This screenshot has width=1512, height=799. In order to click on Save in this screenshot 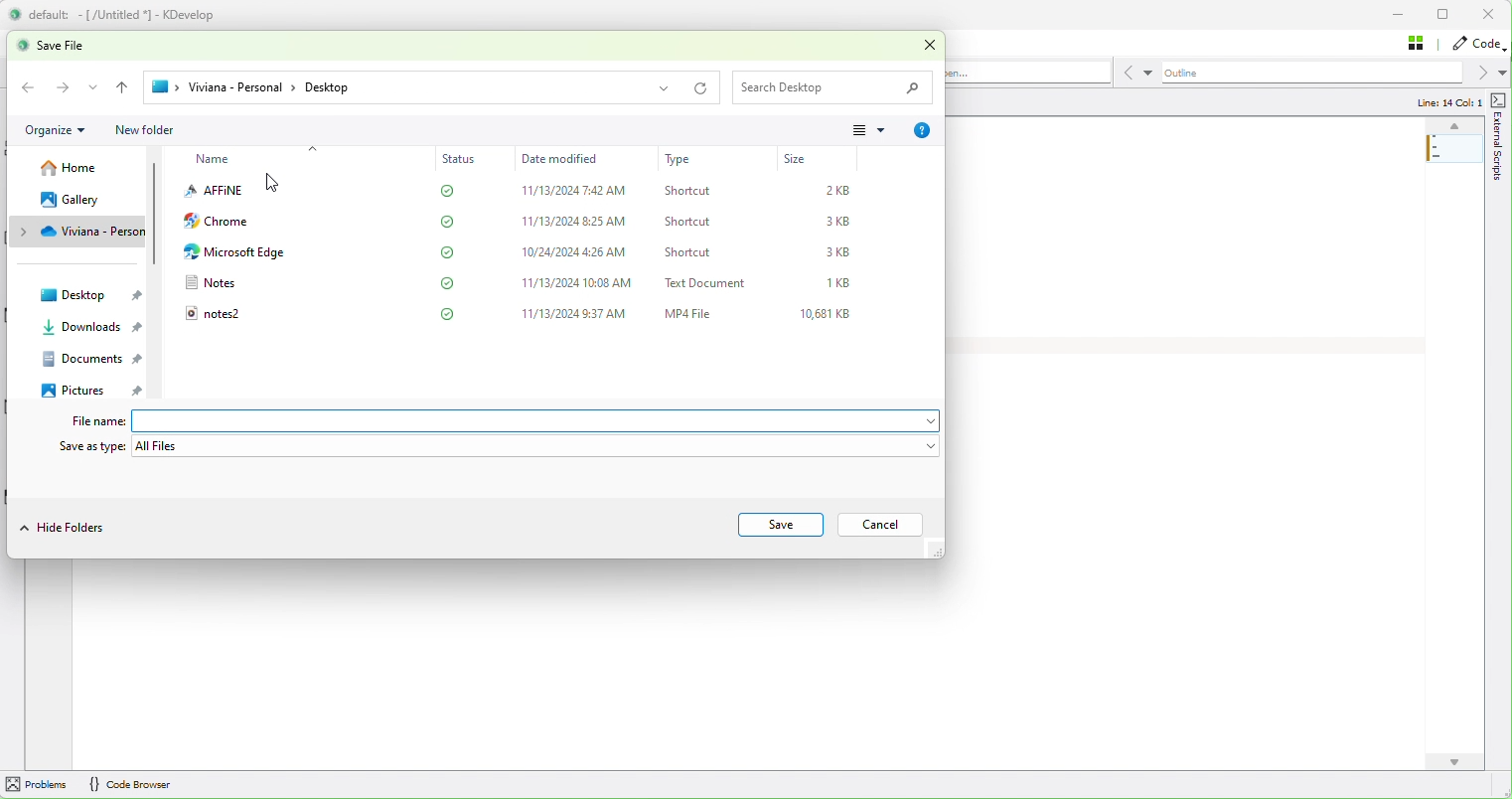, I will do `click(781, 525)`.